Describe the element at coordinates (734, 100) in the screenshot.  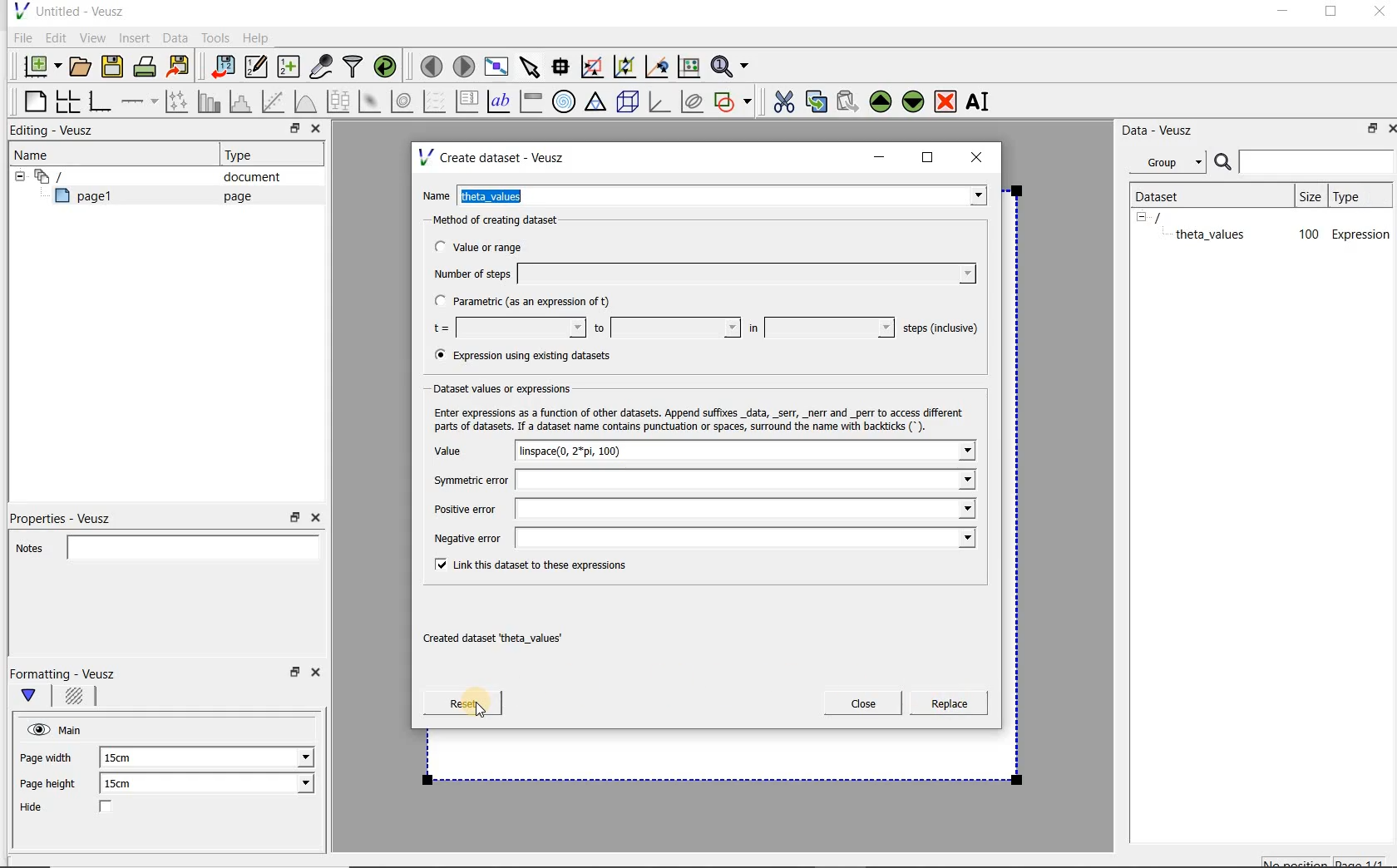
I see `add a shape to the plot` at that location.